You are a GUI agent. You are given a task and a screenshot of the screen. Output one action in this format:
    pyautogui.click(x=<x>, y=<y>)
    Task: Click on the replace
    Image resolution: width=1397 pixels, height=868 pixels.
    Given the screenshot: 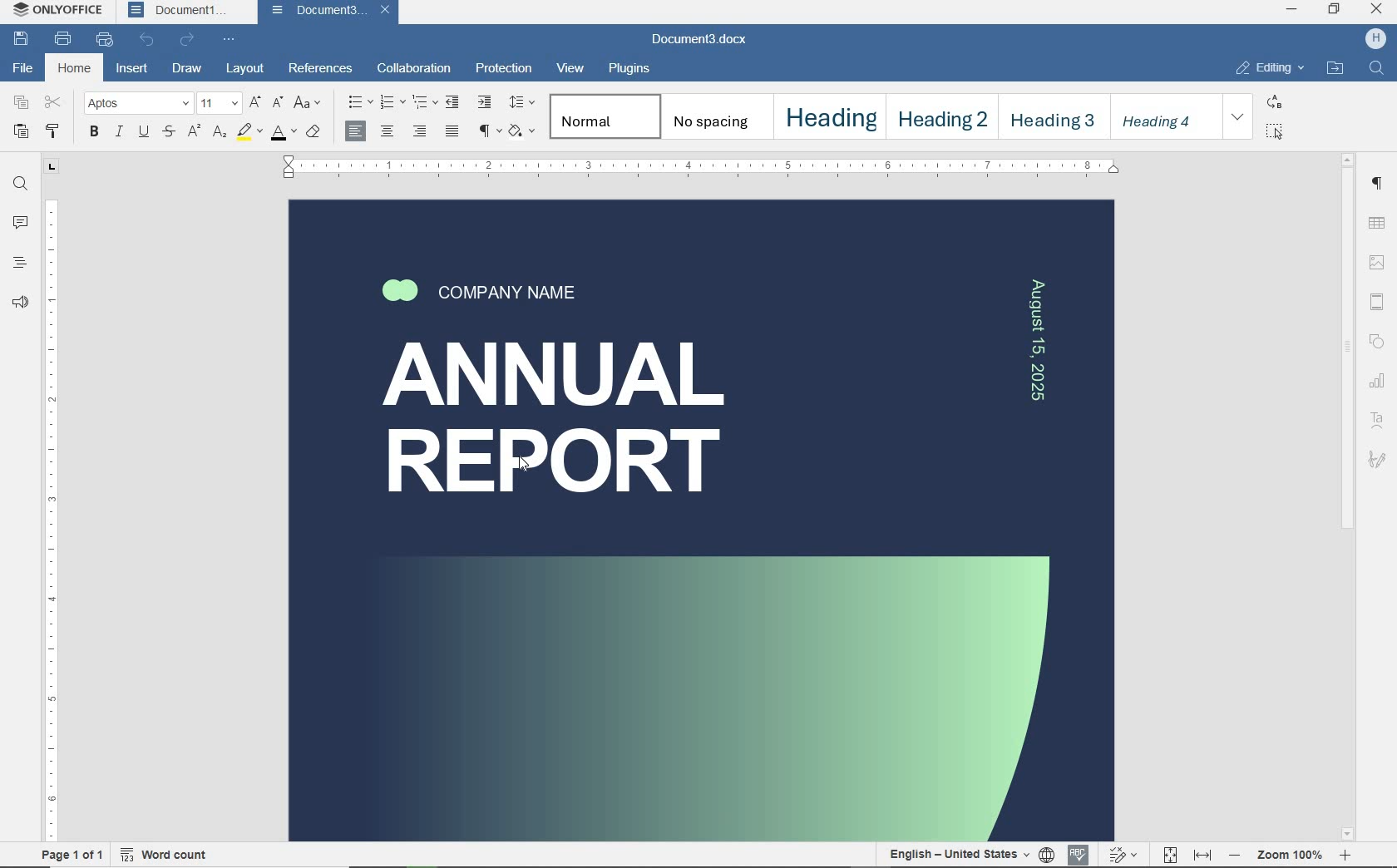 What is the action you would take?
    pyautogui.click(x=1274, y=101)
    